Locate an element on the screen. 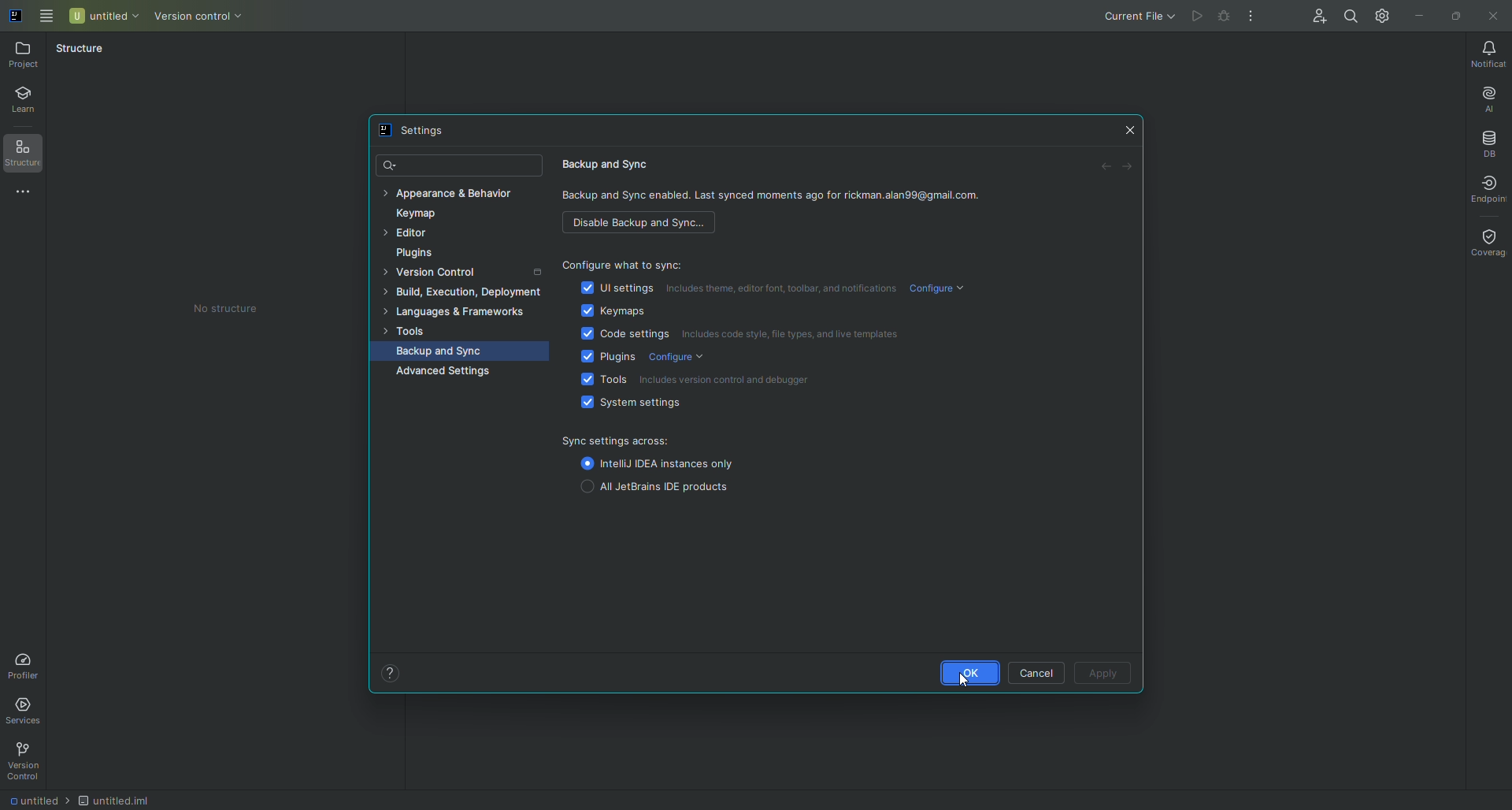 The width and height of the screenshot is (1512, 810). Languages and Frameworks is located at coordinates (462, 313).